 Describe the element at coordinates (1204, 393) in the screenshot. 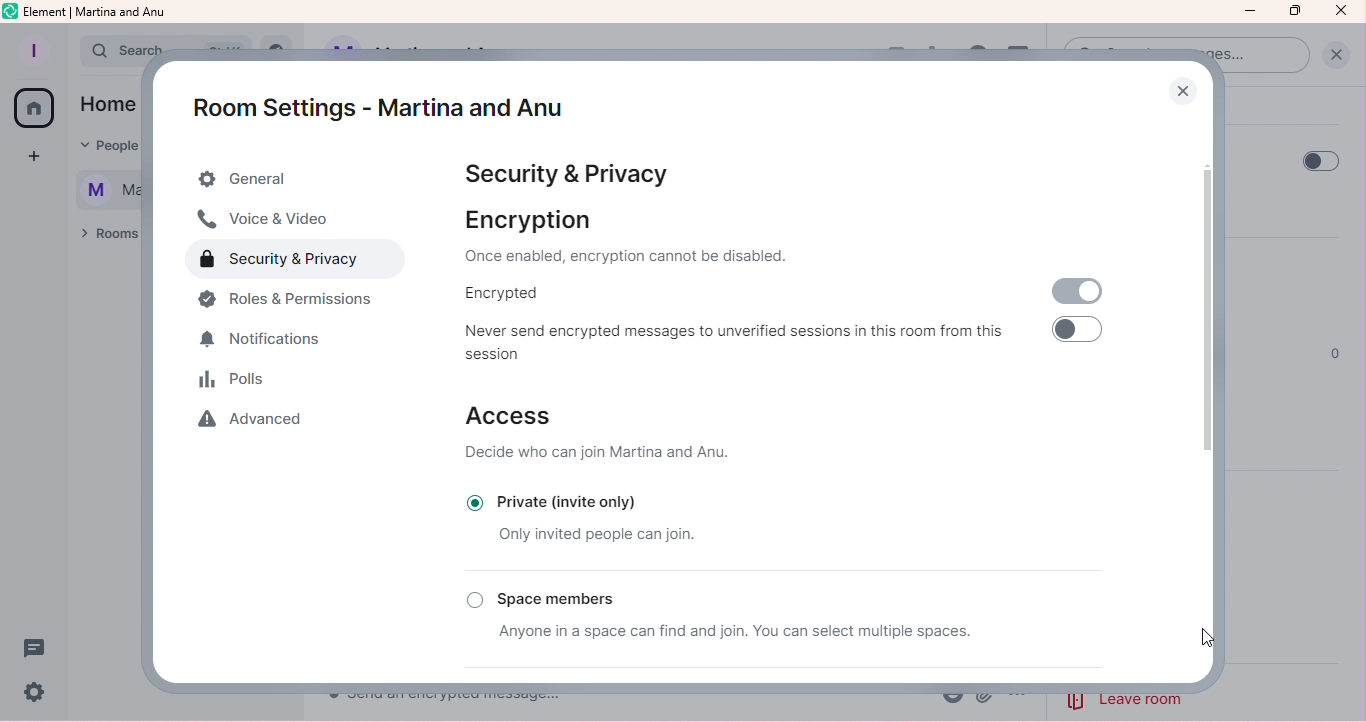

I see `Scroll bar` at that location.